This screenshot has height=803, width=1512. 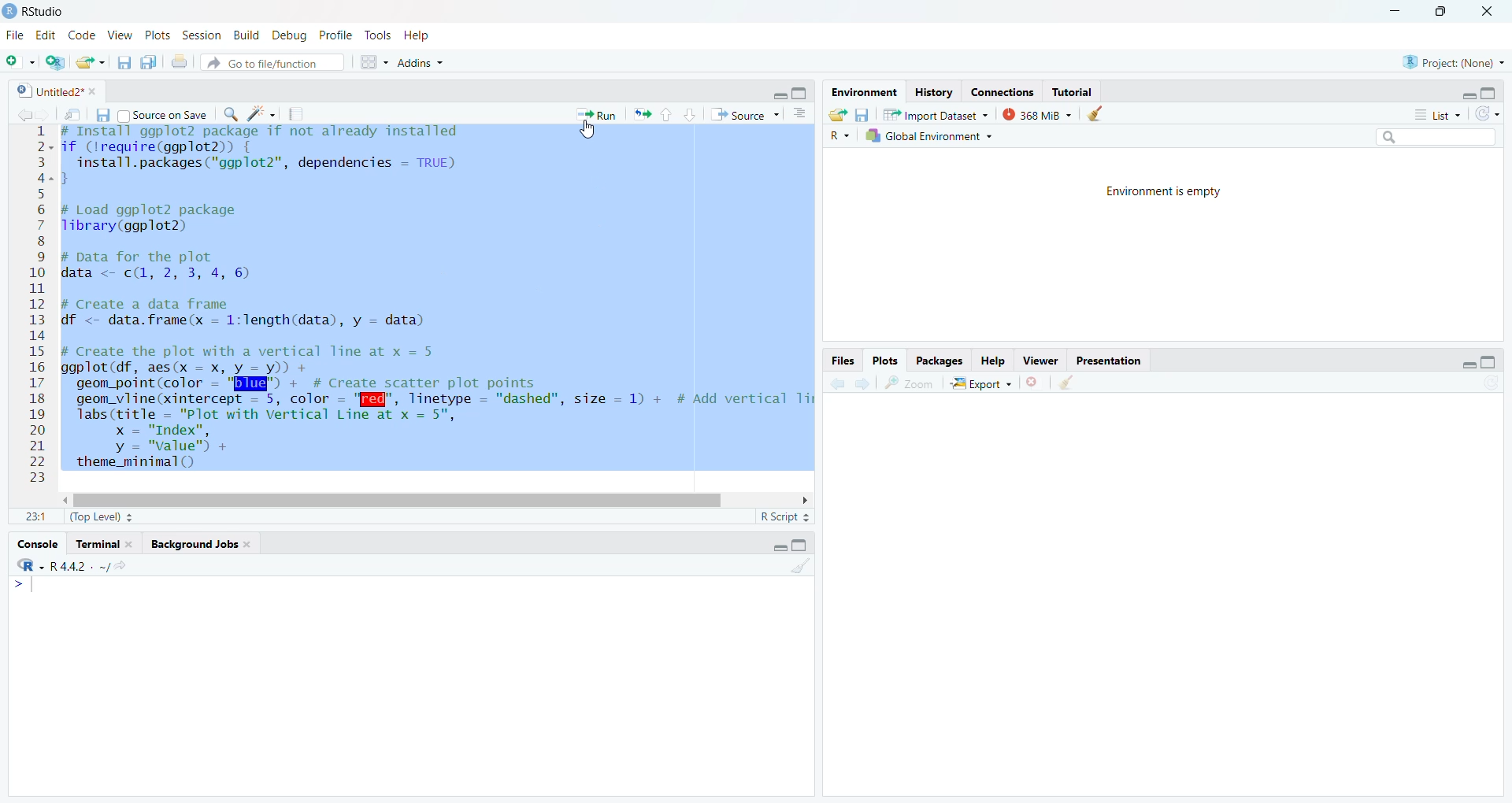 What do you see at coordinates (835, 361) in the screenshot?
I see `Files` at bounding box center [835, 361].